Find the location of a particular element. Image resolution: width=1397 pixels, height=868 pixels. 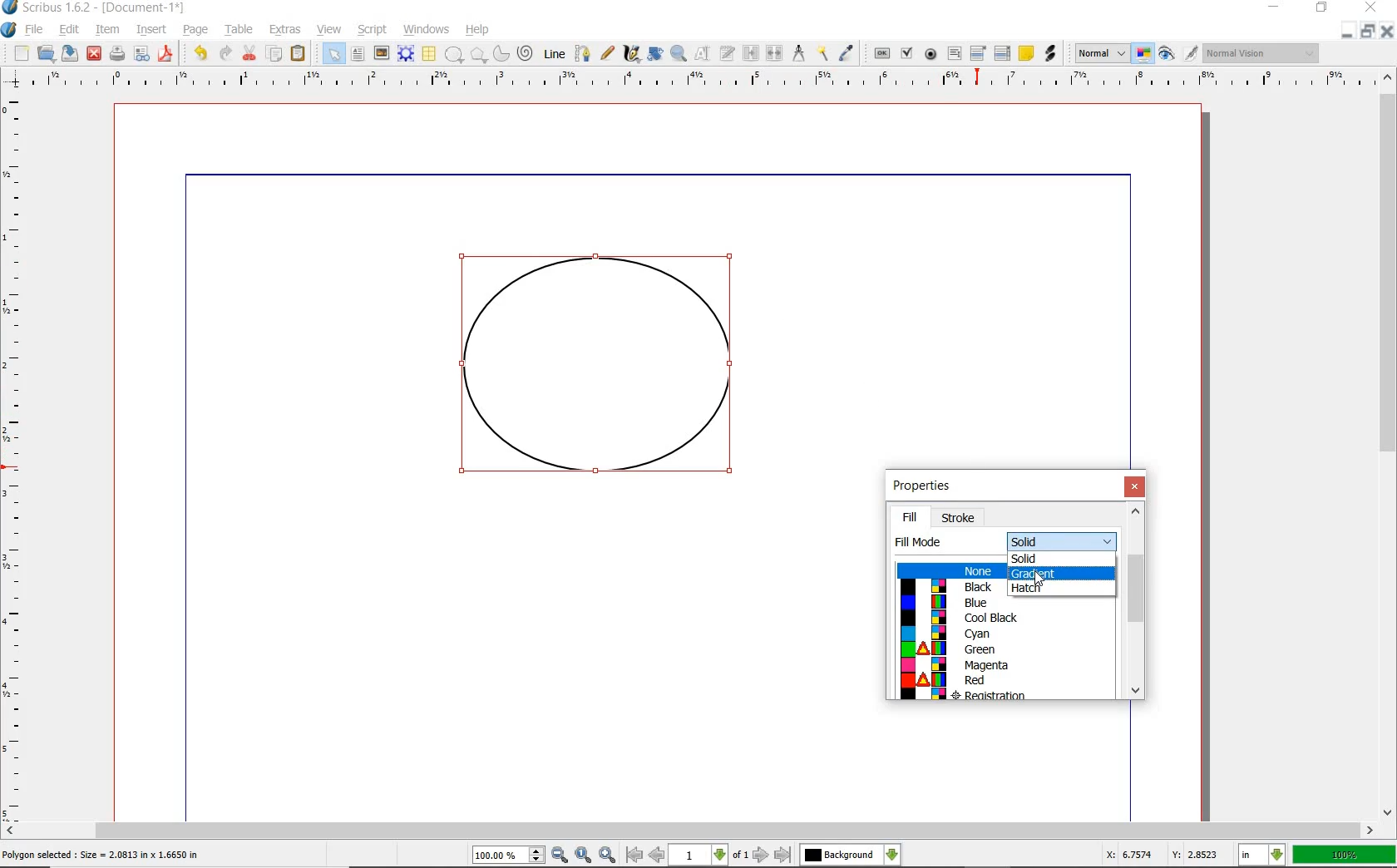

ZOOM IN OR OUT is located at coordinates (678, 54).